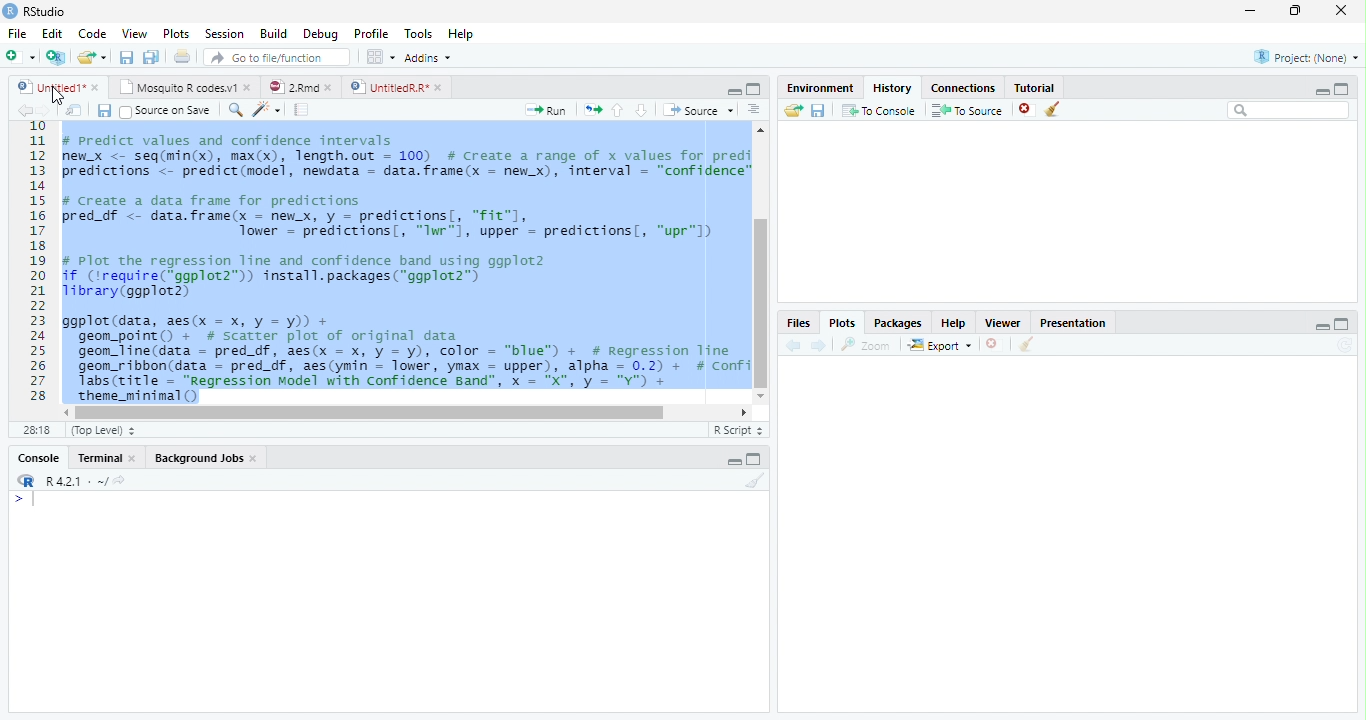 The width and height of the screenshot is (1366, 720). I want to click on Profile, so click(372, 34).